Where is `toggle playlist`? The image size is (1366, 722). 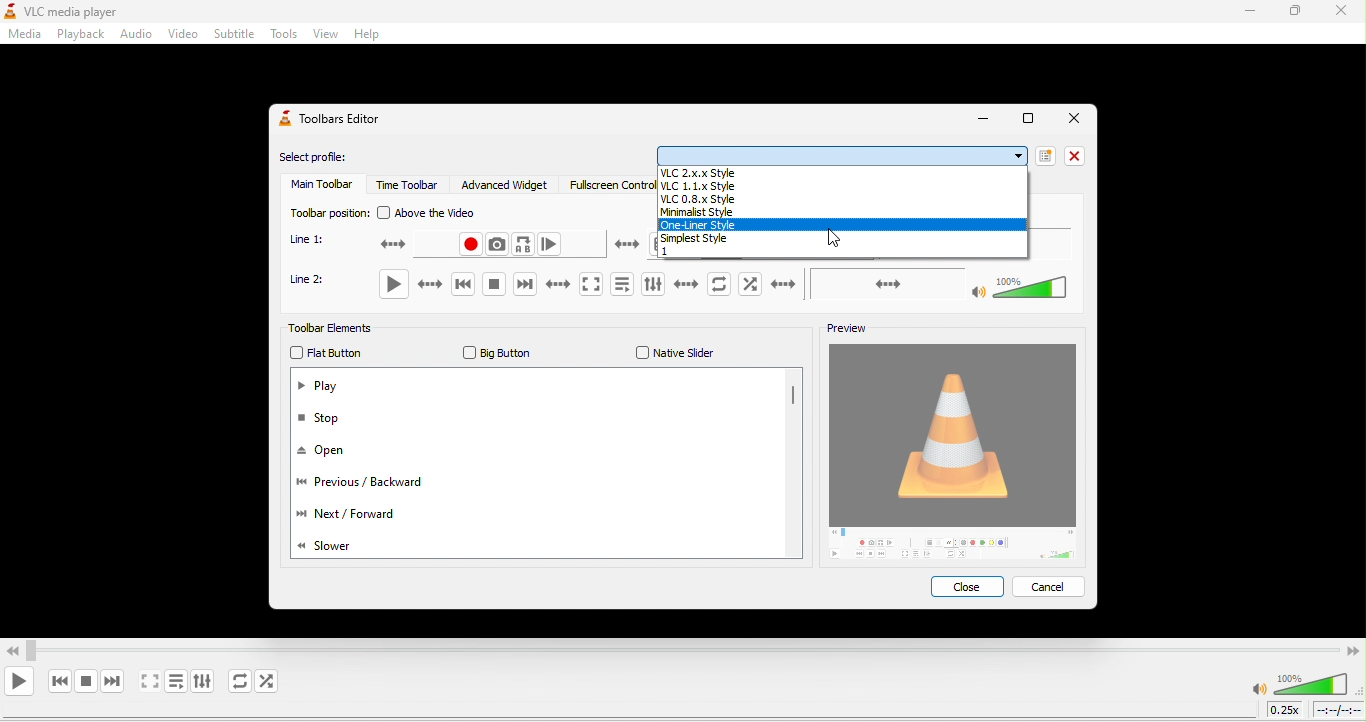
toggle playlist is located at coordinates (623, 283).